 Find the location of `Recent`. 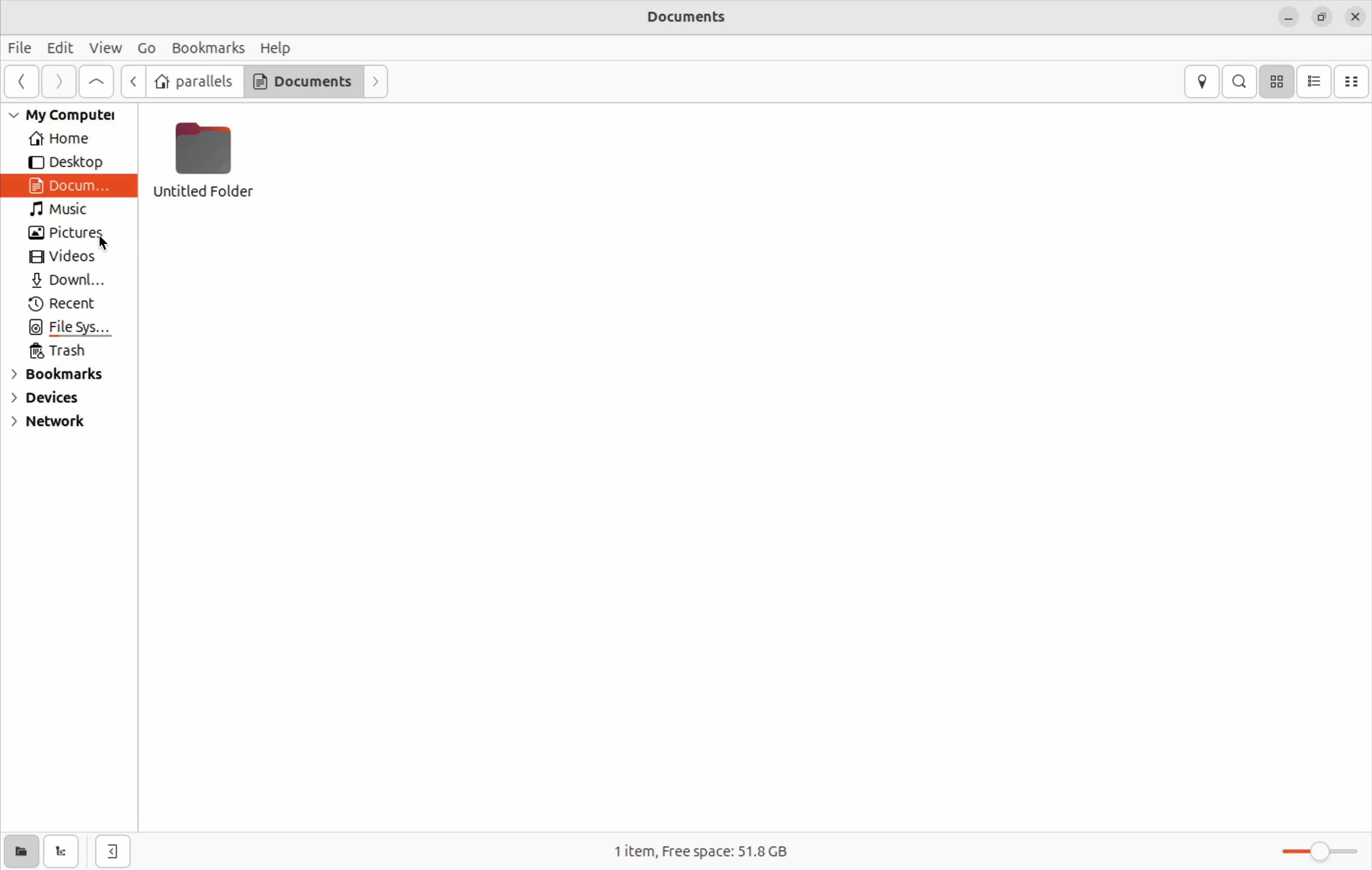

Recent is located at coordinates (61, 304).